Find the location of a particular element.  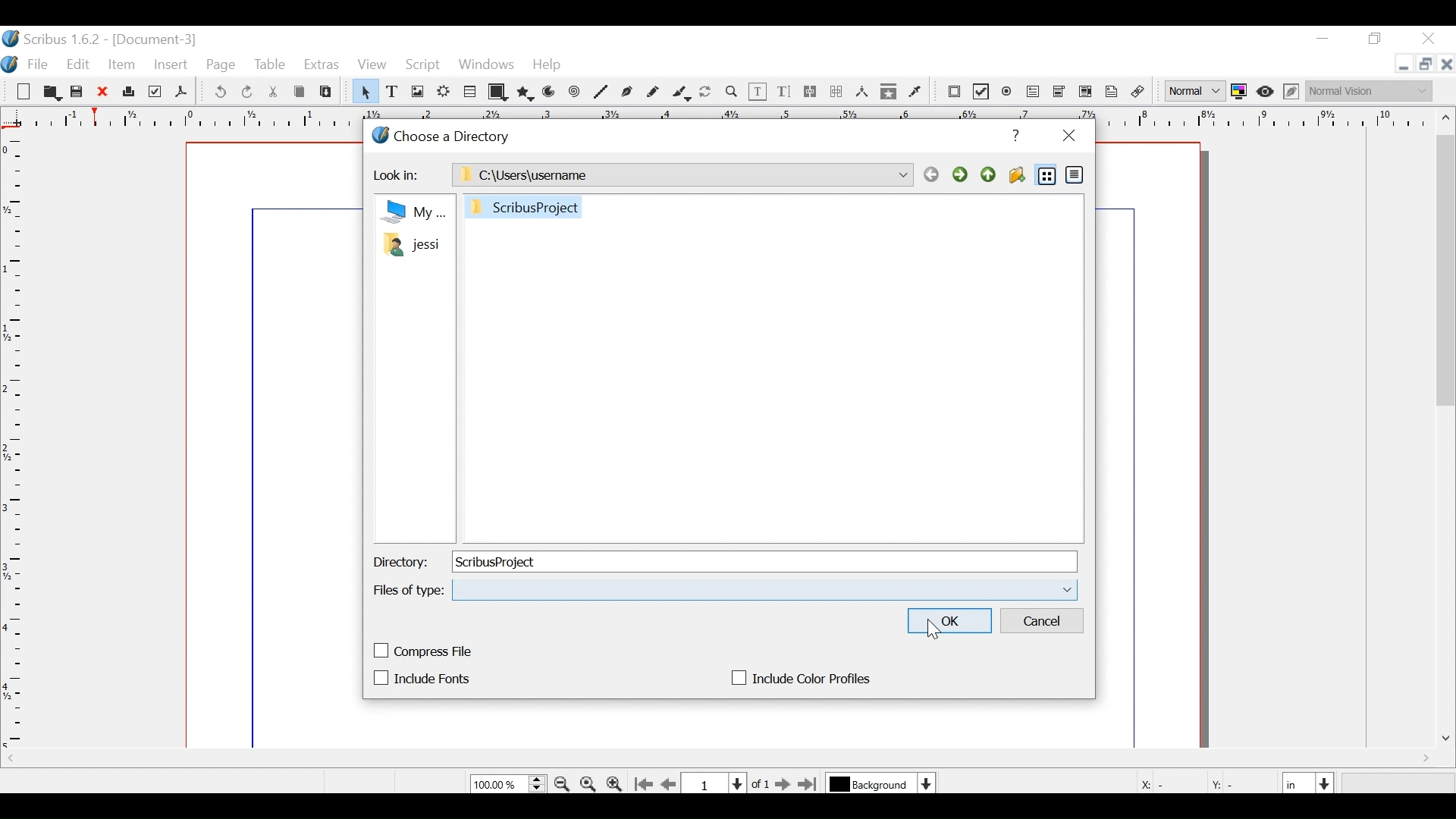

Go to the last page is located at coordinates (809, 784).